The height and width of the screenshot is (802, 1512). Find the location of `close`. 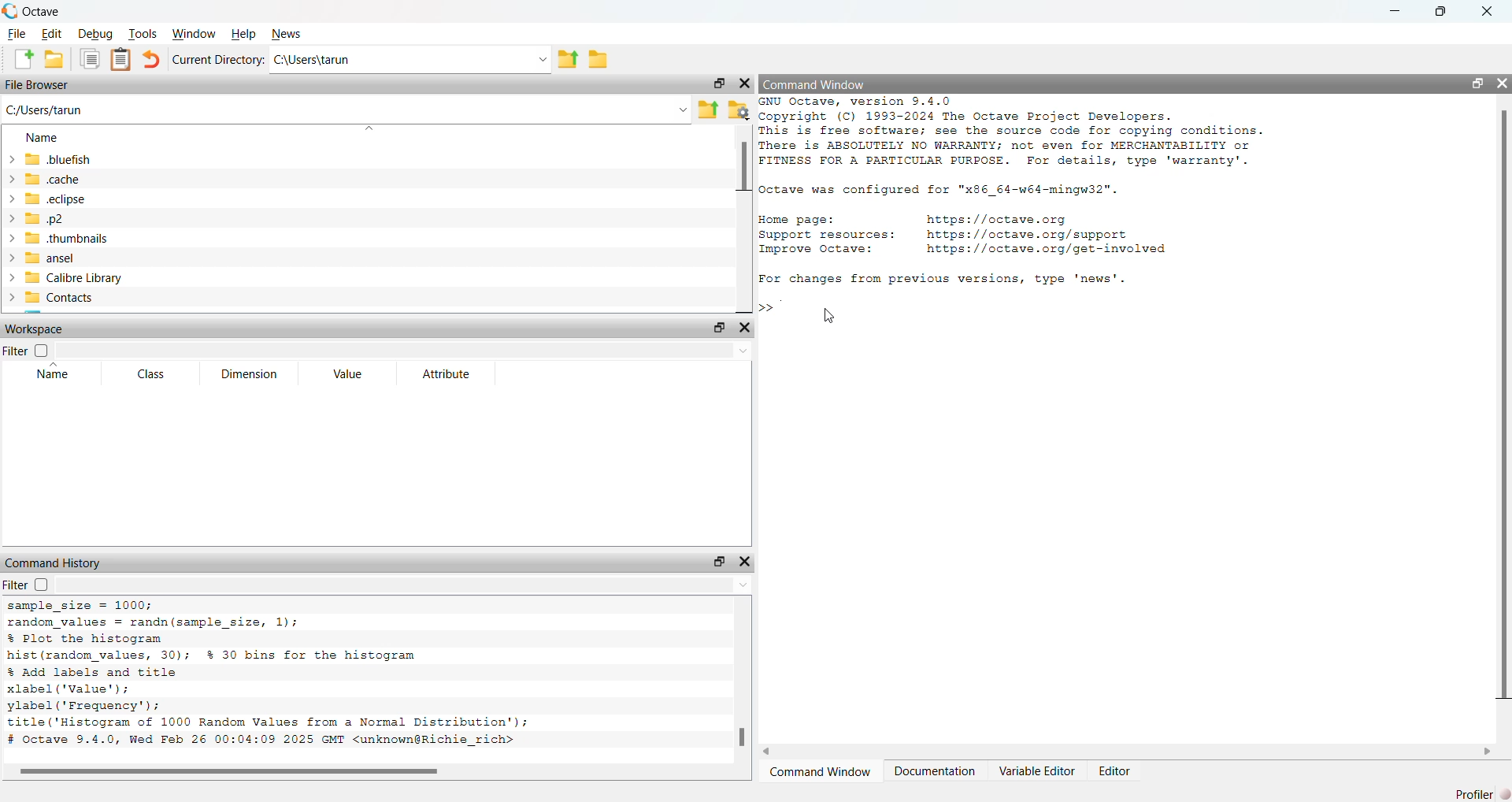

close is located at coordinates (745, 561).